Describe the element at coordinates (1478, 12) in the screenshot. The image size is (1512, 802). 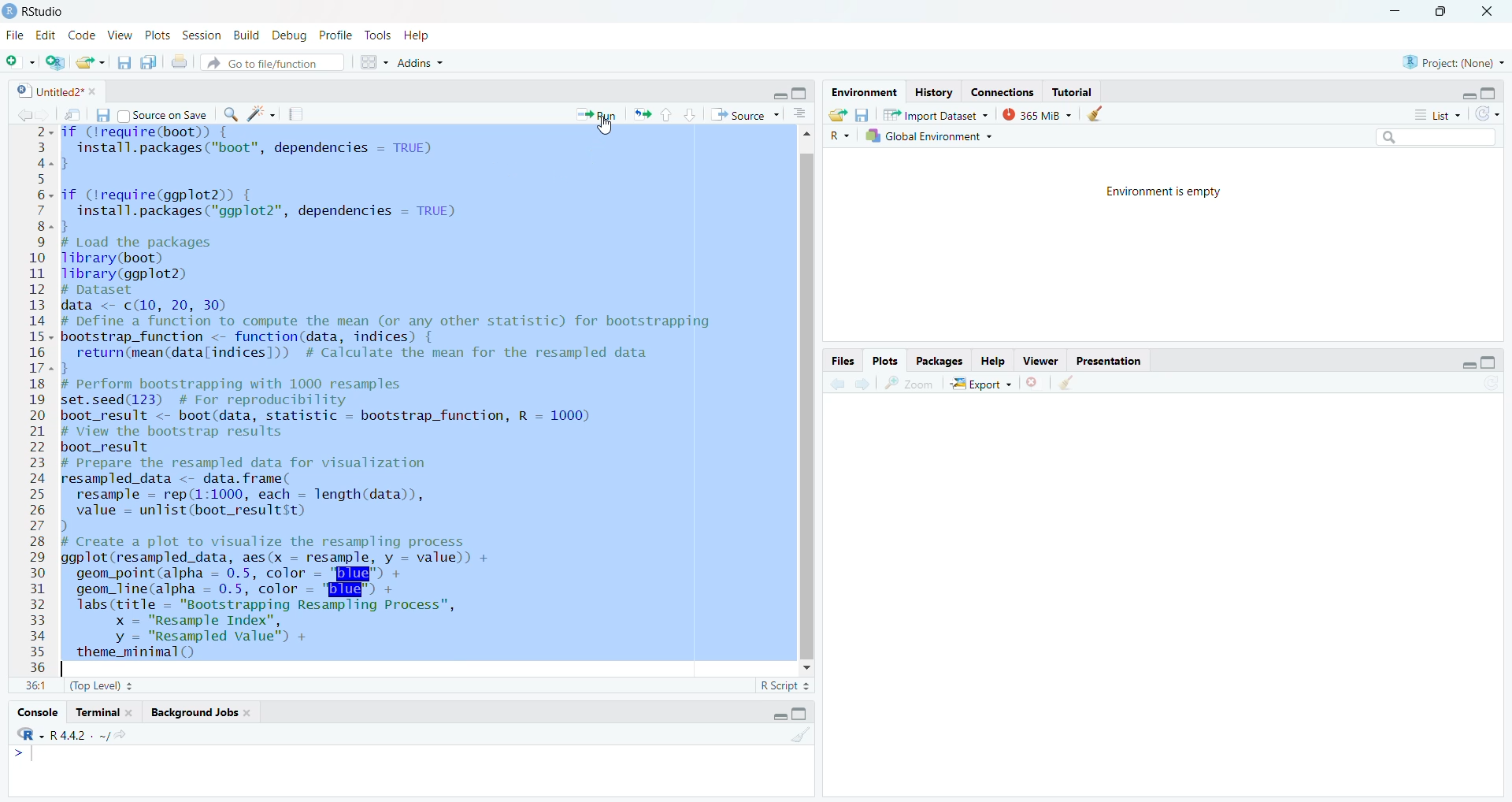
I see `close` at that location.